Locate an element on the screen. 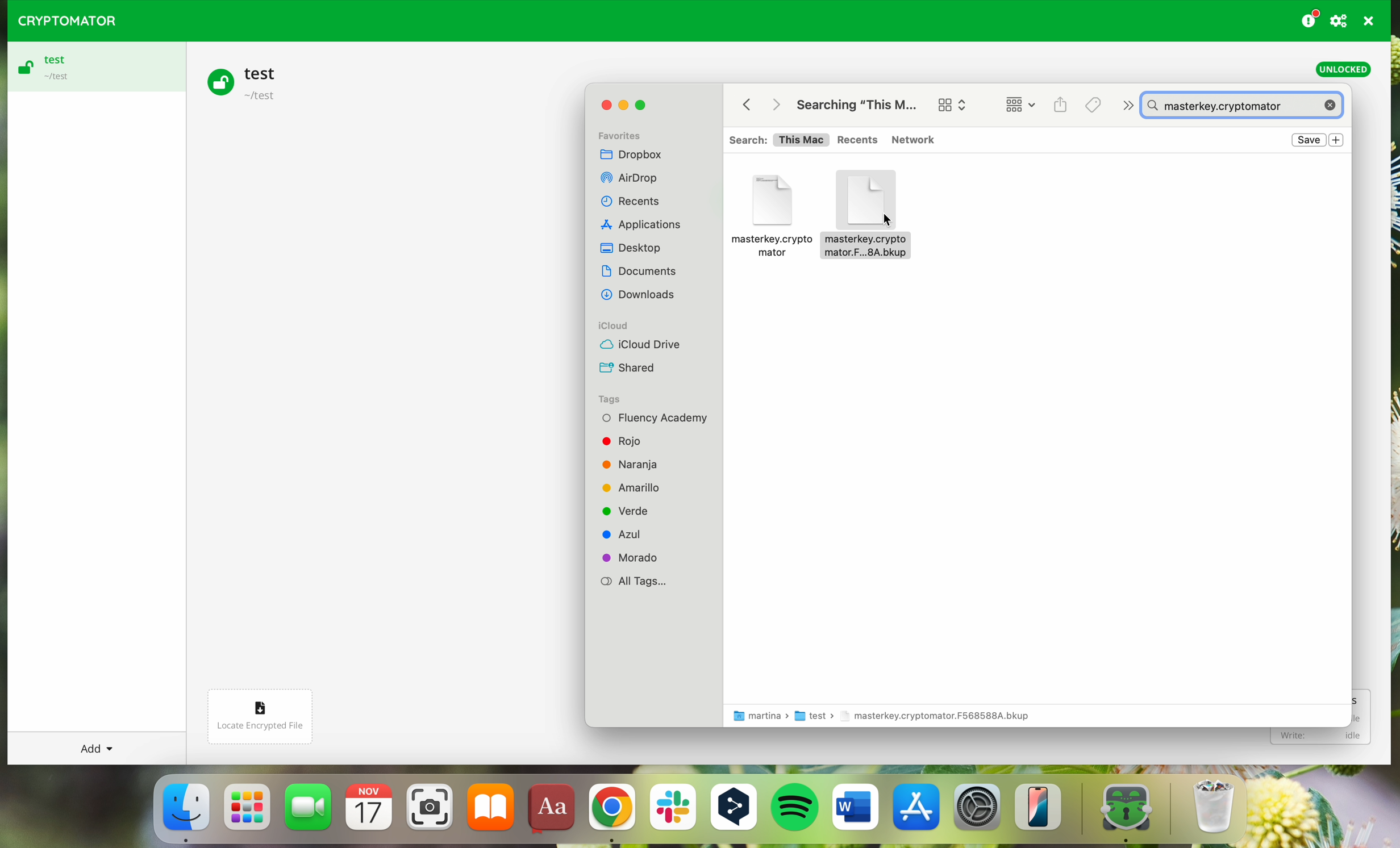 This screenshot has height=848, width=1400. locate encrypted file button is located at coordinates (270, 711).